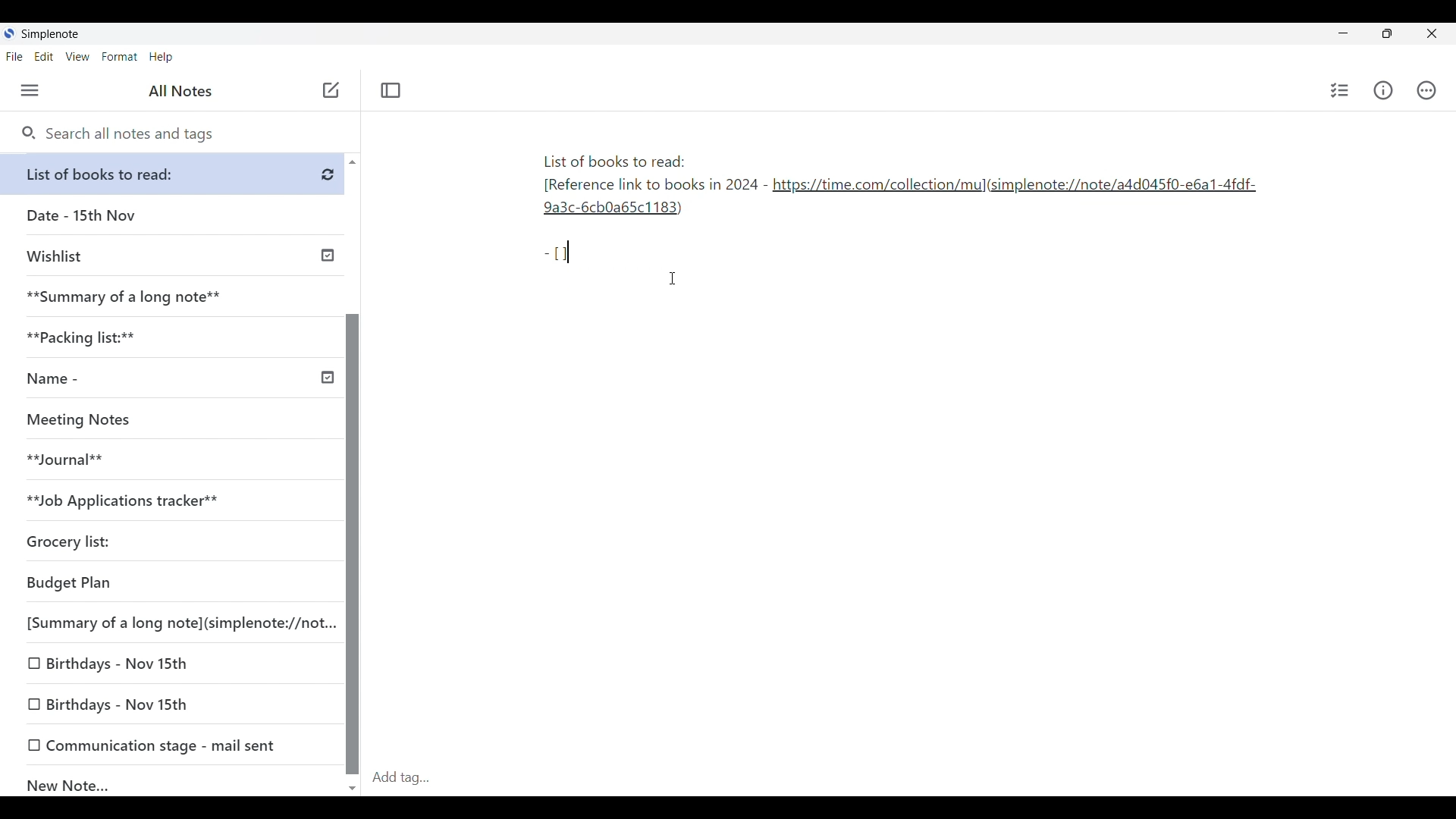 The height and width of the screenshot is (819, 1456). Describe the element at coordinates (78, 57) in the screenshot. I see `View` at that location.